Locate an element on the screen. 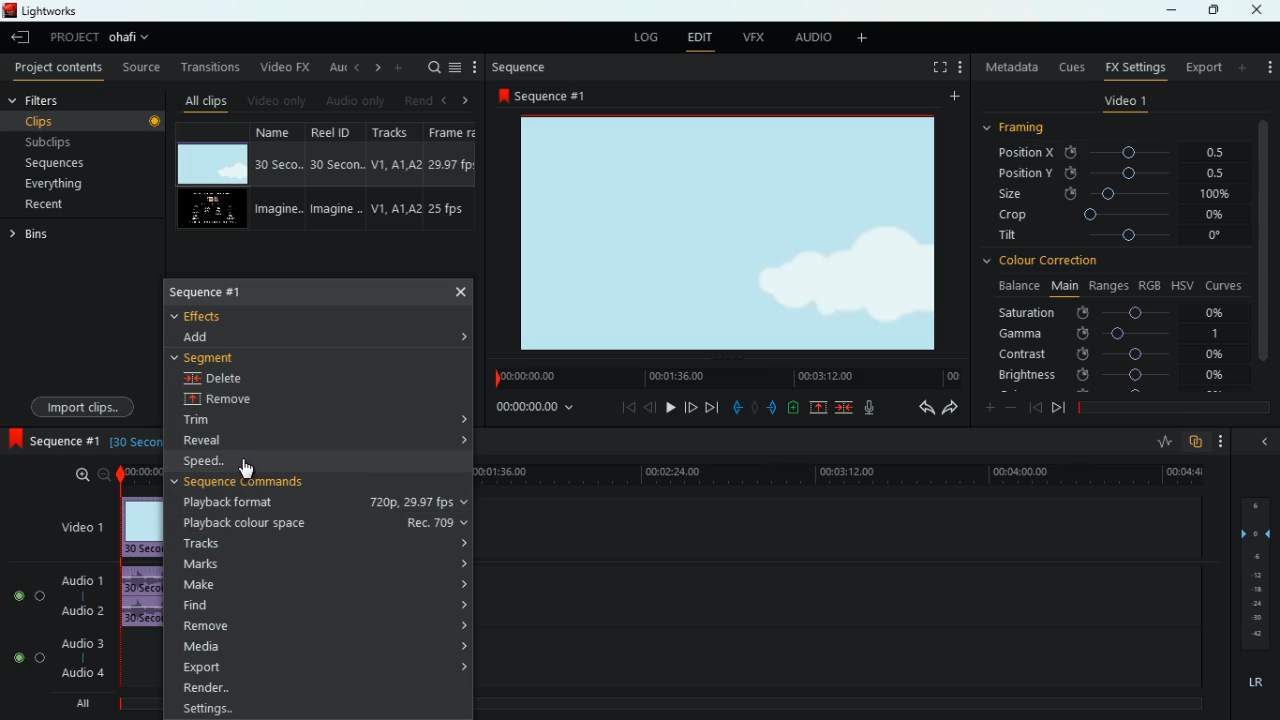  timeline is located at coordinates (725, 377).